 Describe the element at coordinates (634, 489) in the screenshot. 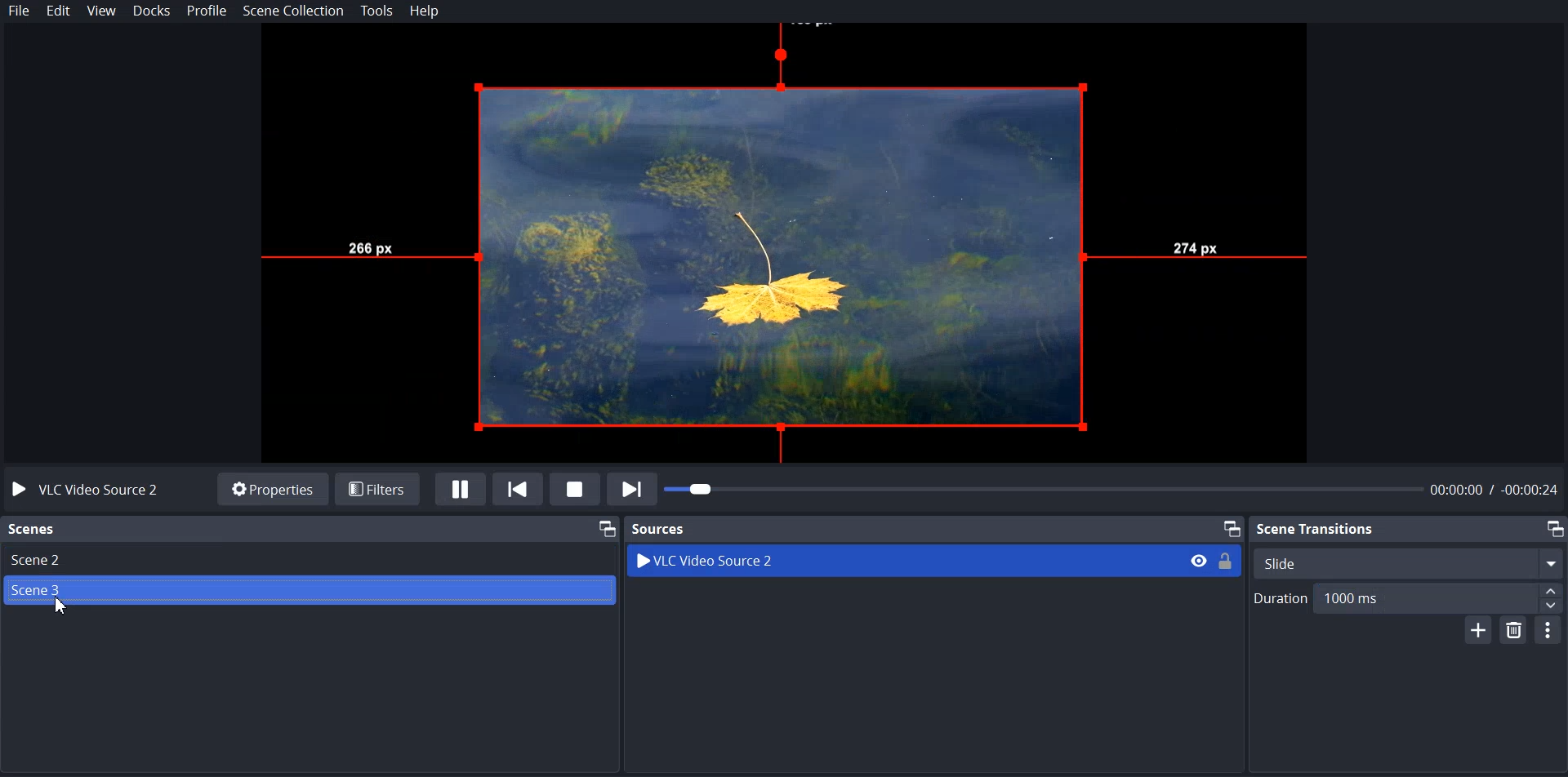

I see `Next Playlist` at that location.